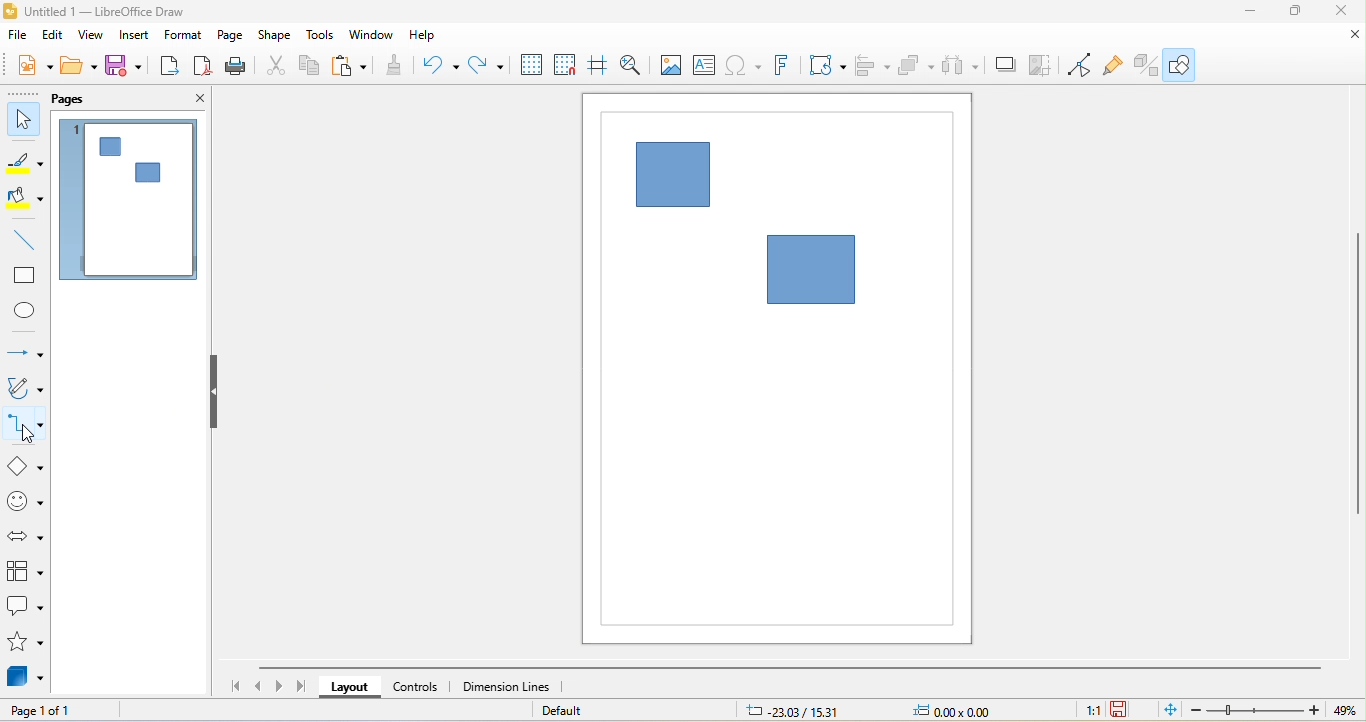 The width and height of the screenshot is (1366, 722). What do you see at coordinates (530, 65) in the screenshot?
I see `display grid` at bounding box center [530, 65].